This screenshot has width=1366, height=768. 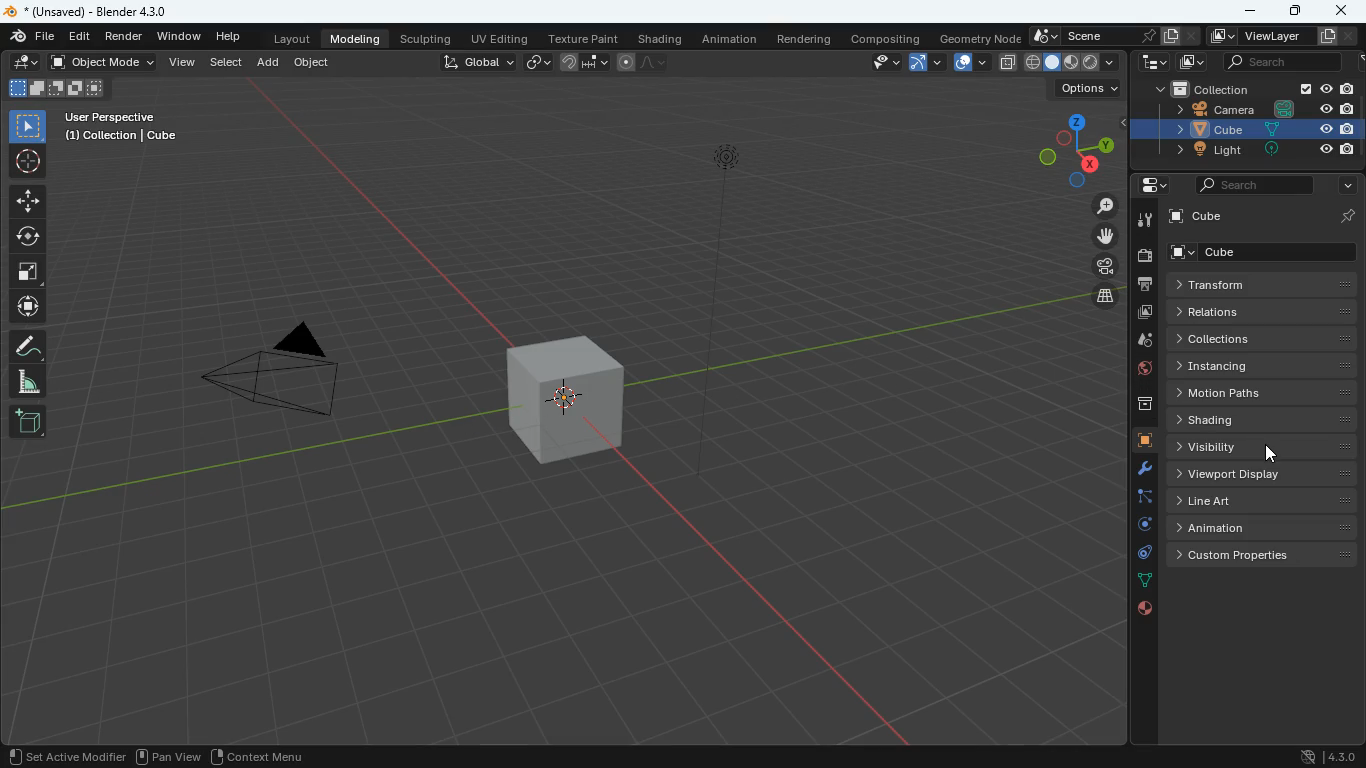 I want to click on shading, so click(x=659, y=38).